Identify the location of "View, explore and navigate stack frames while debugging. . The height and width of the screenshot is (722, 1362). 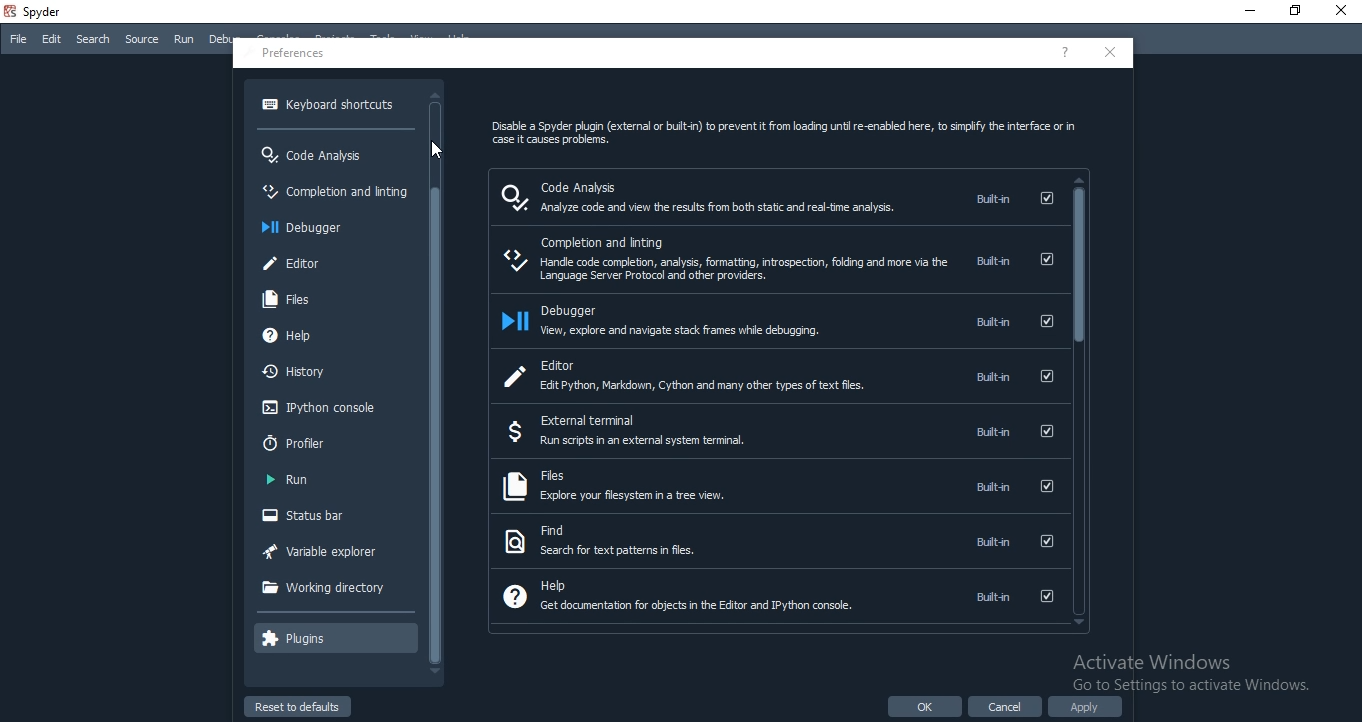
(702, 336).